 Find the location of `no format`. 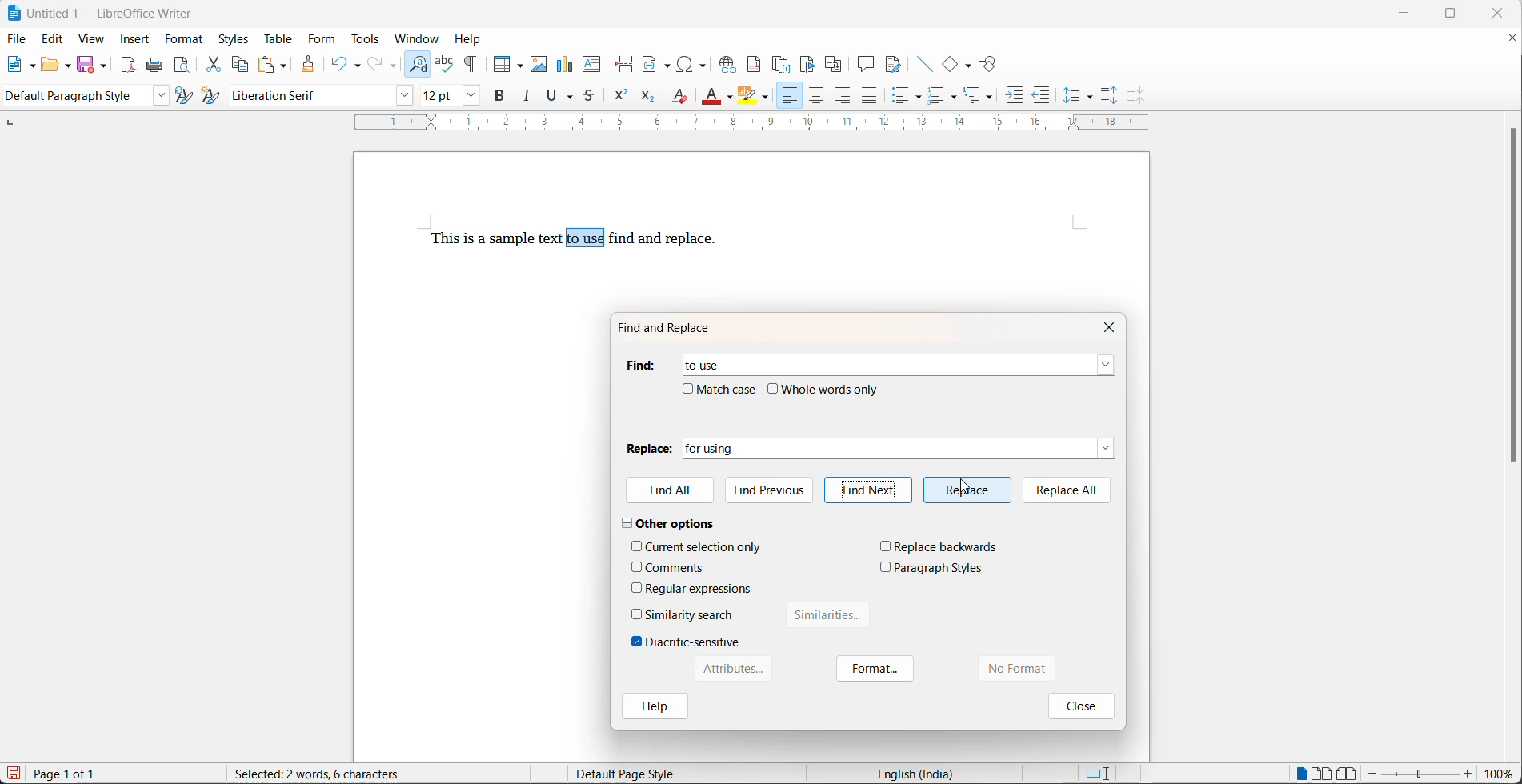

no format is located at coordinates (1034, 669).